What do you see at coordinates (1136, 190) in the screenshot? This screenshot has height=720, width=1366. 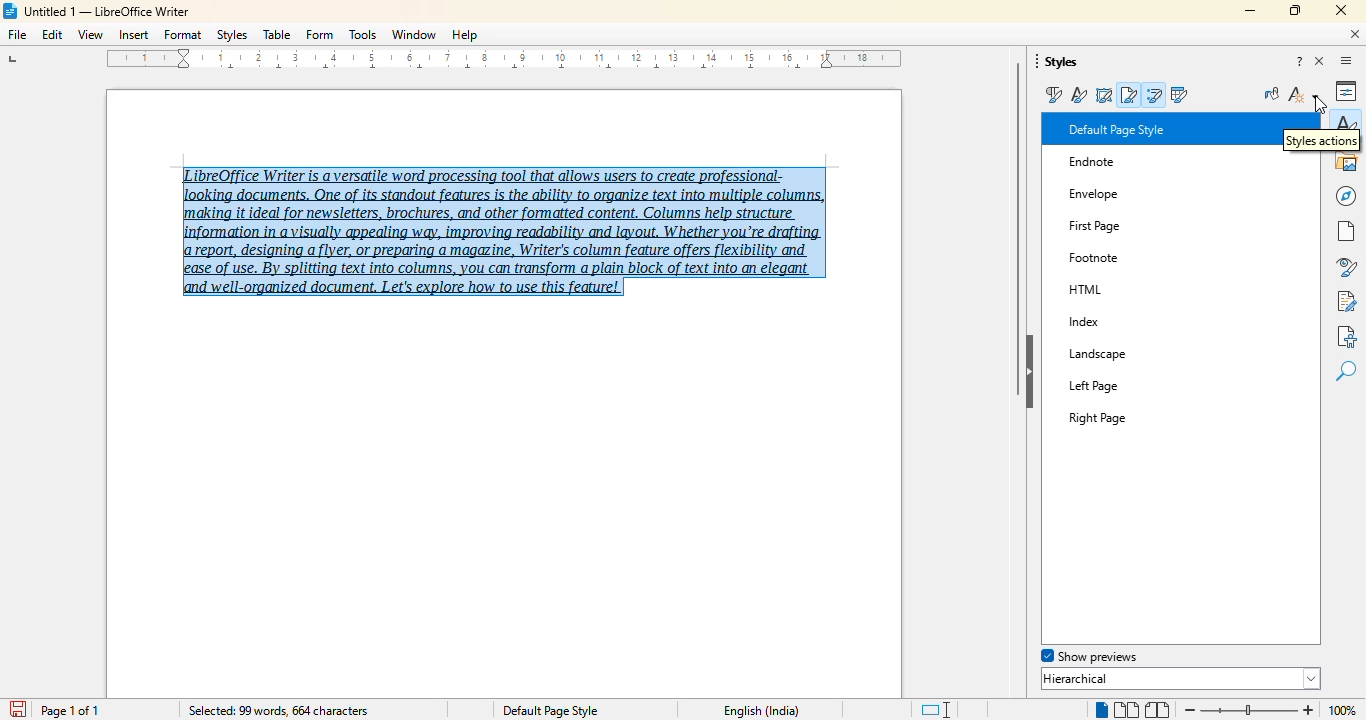 I see `Envelope` at bounding box center [1136, 190].